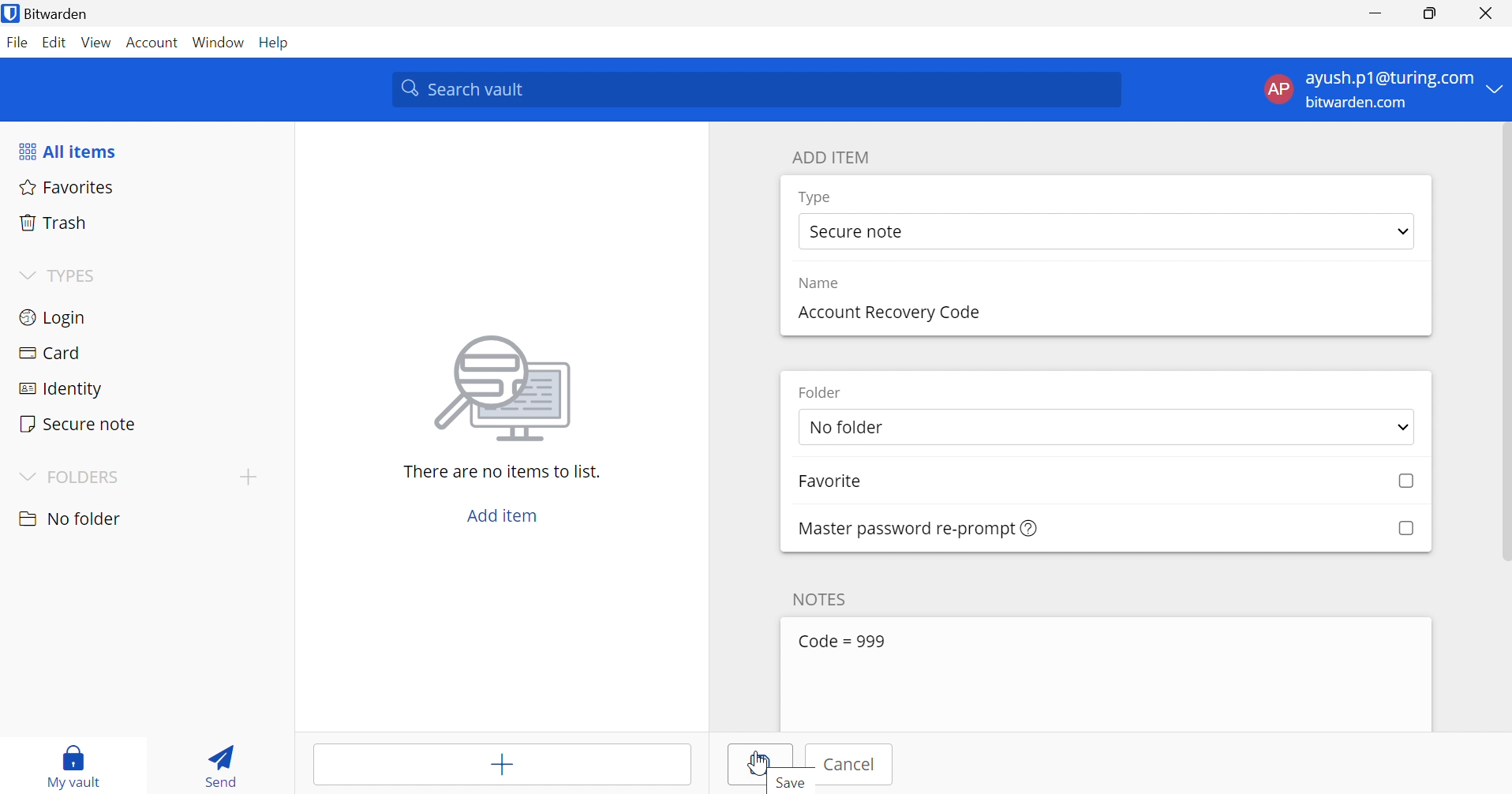  What do you see at coordinates (219, 43) in the screenshot?
I see `Window` at bounding box center [219, 43].